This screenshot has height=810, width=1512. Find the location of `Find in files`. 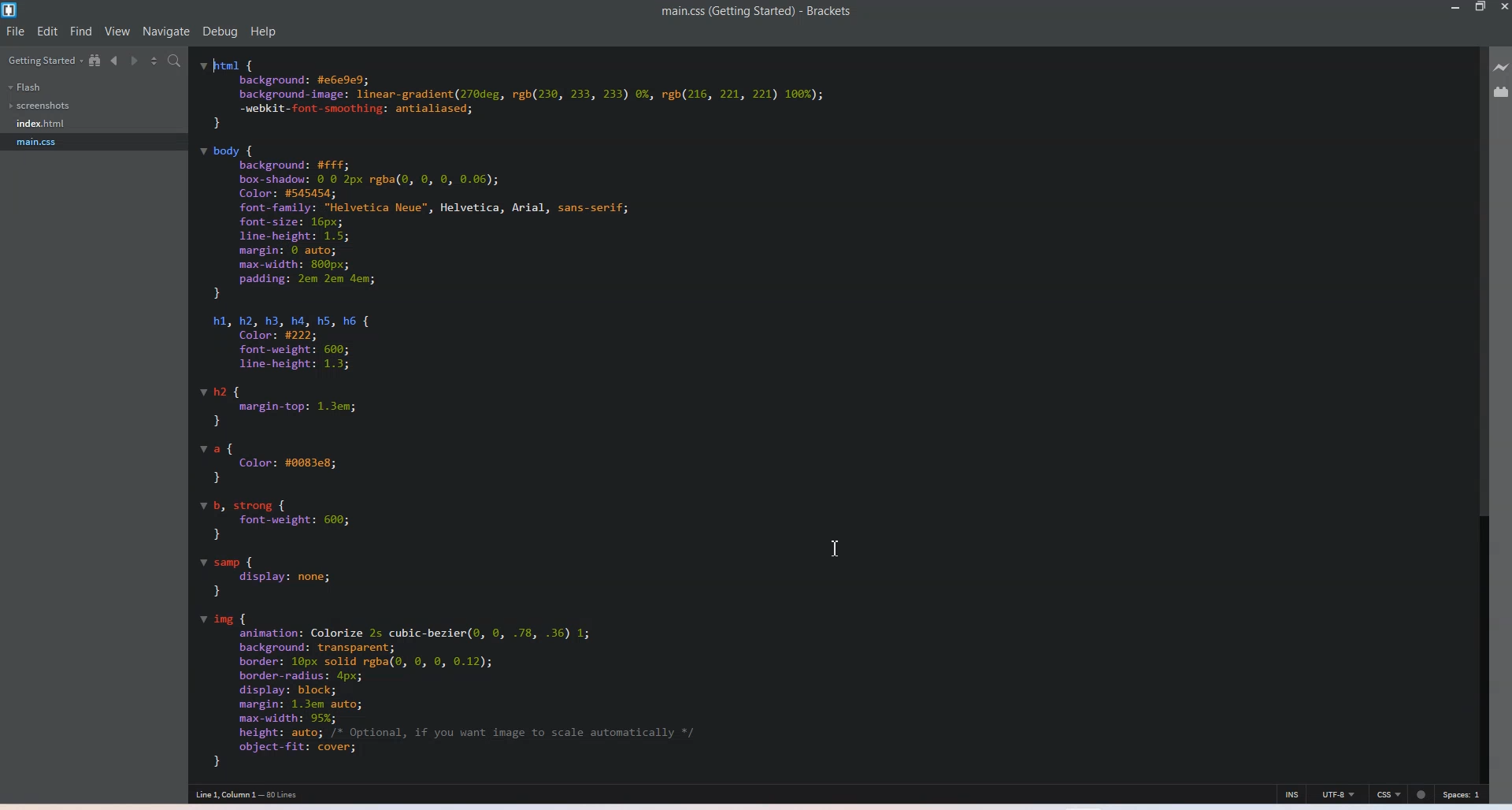

Find in files is located at coordinates (175, 61).